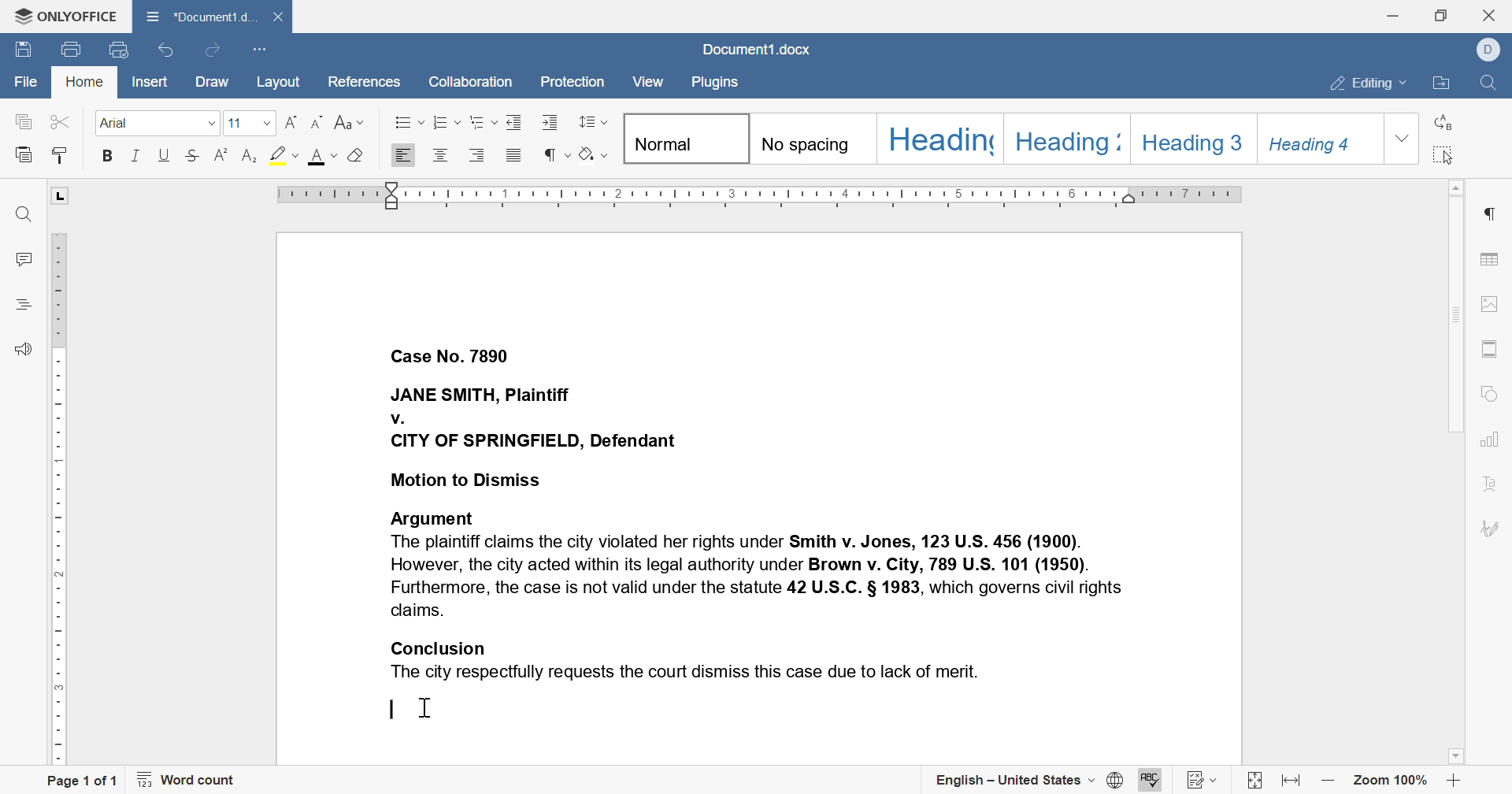 The image size is (1512, 794). What do you see at coordinates (1486, 50) in the screenshot?
I see `dell` at bounding box center [1486, 50].